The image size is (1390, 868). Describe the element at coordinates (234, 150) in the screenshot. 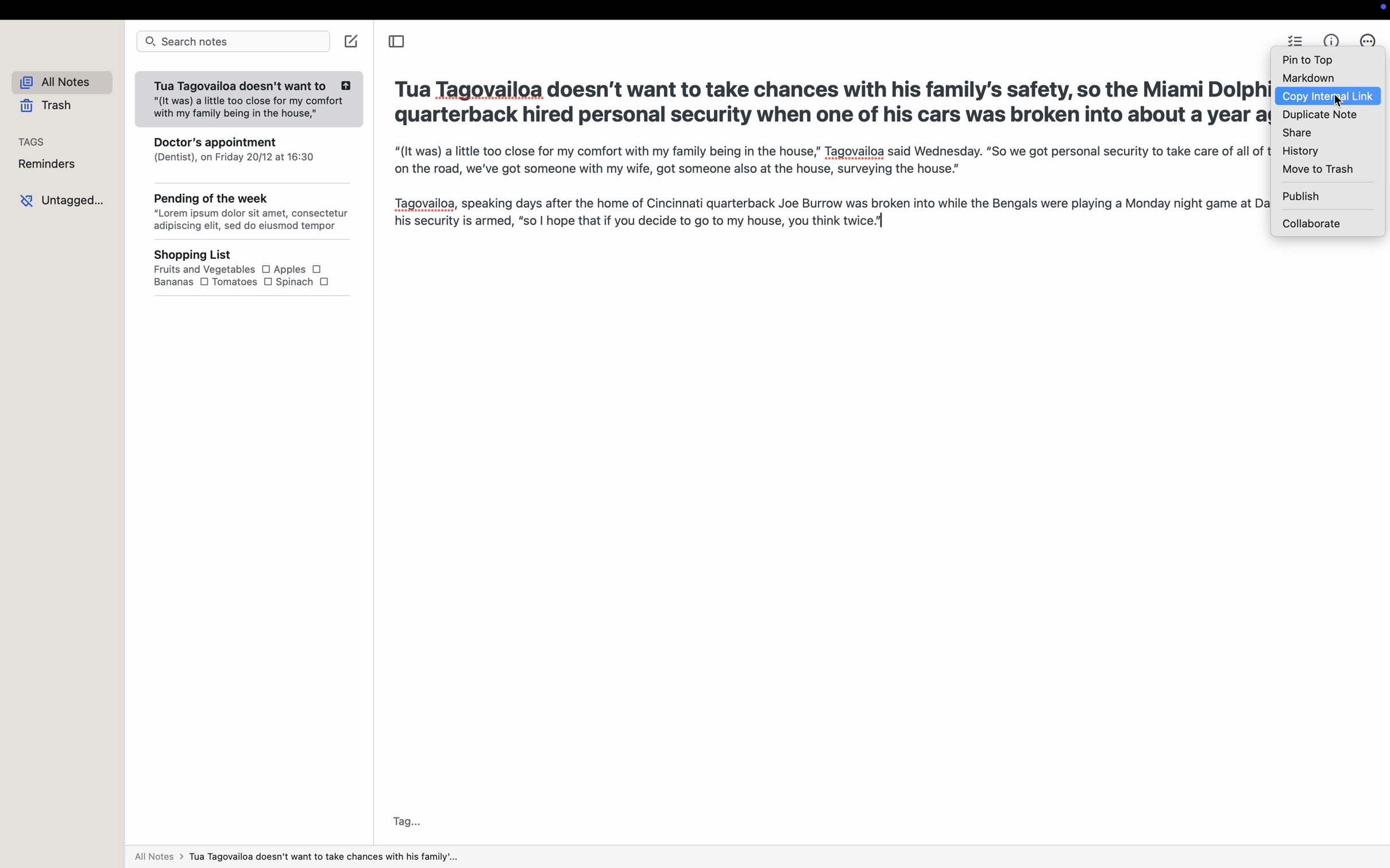

I see `Doctor's appointment
(Dentist), on Friday 20/12 at 16:30` at that location.